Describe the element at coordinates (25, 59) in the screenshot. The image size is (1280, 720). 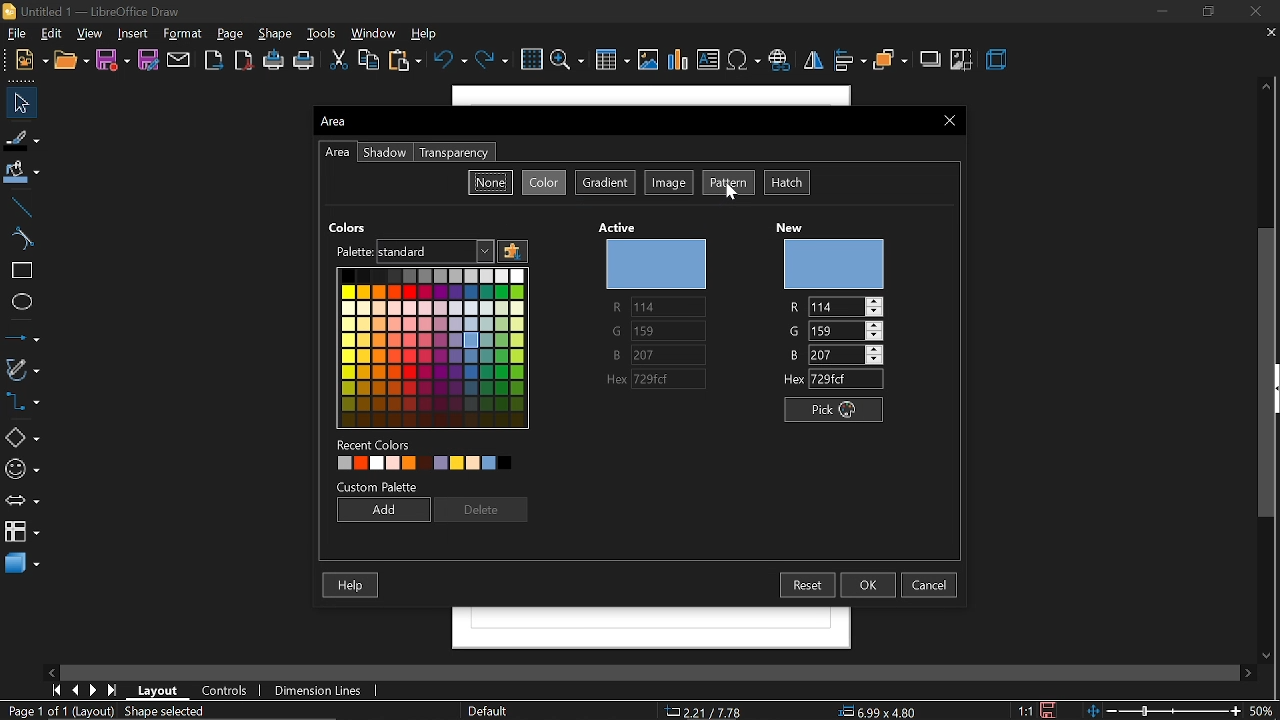
I see `New` at that location.